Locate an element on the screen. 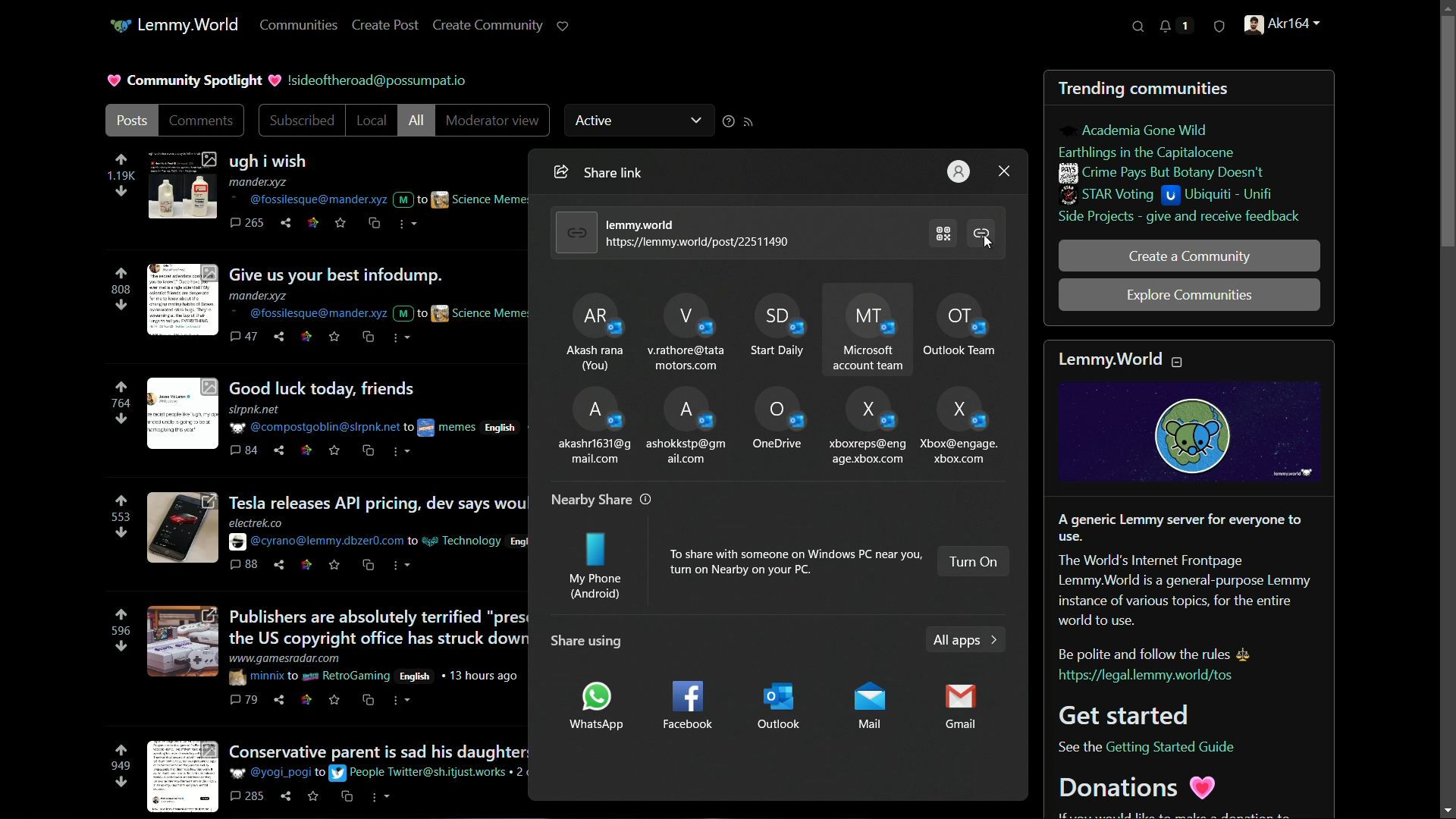 Image resolution: width=1456 pixels, height=819 pixels. upvote is located at coordinates (121, 160).